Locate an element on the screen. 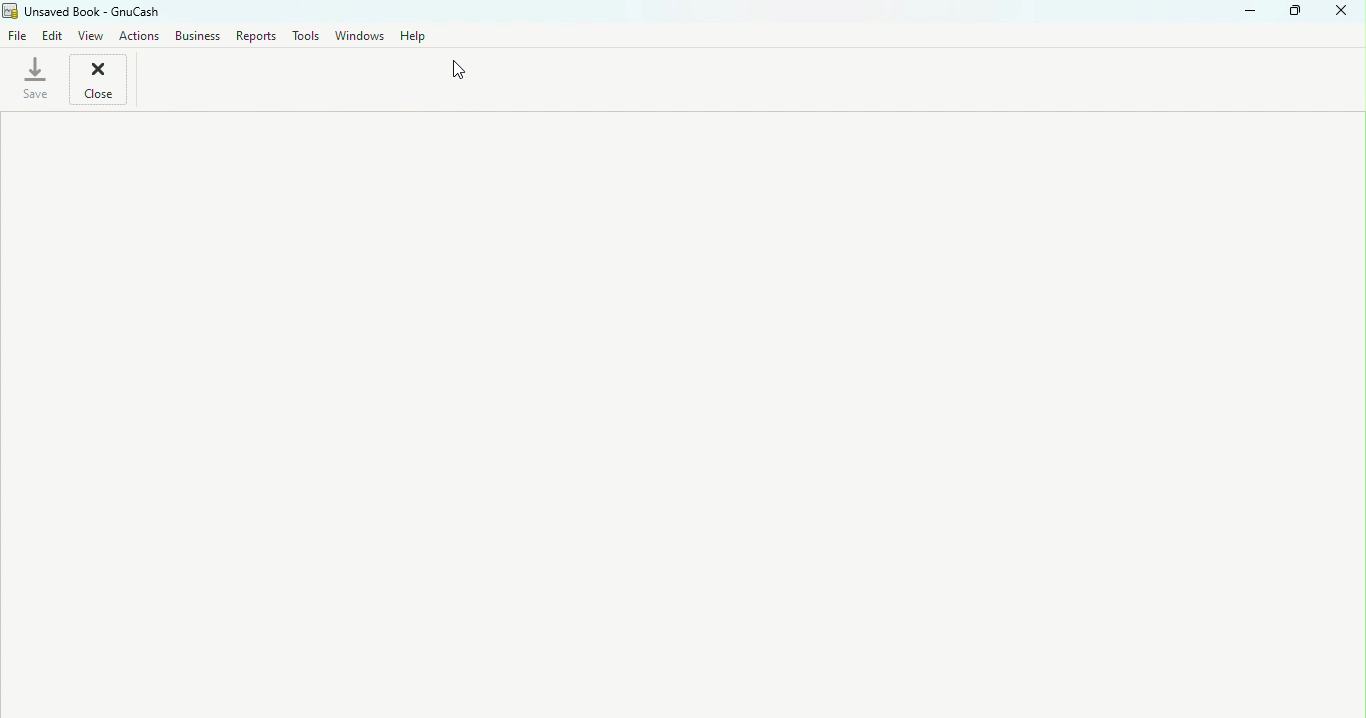 This screenshot has width=1366, height=718. workspace is located at coordinates (683, 419).